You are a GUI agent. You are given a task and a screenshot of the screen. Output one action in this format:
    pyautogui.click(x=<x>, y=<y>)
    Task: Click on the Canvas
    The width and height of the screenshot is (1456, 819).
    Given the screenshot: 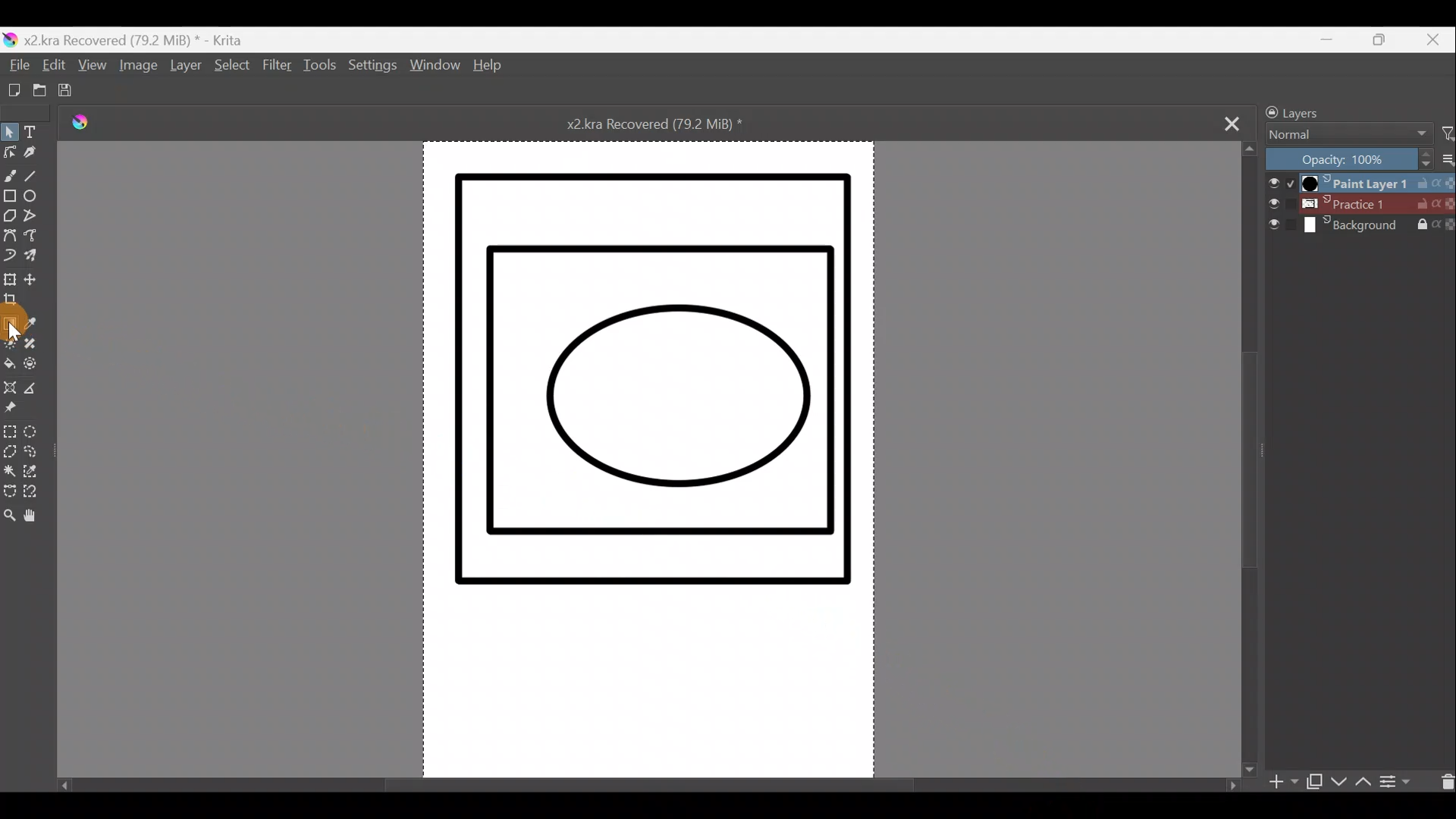 What is the action you would take?
    pyautogui.click(x=639, y=463)
    